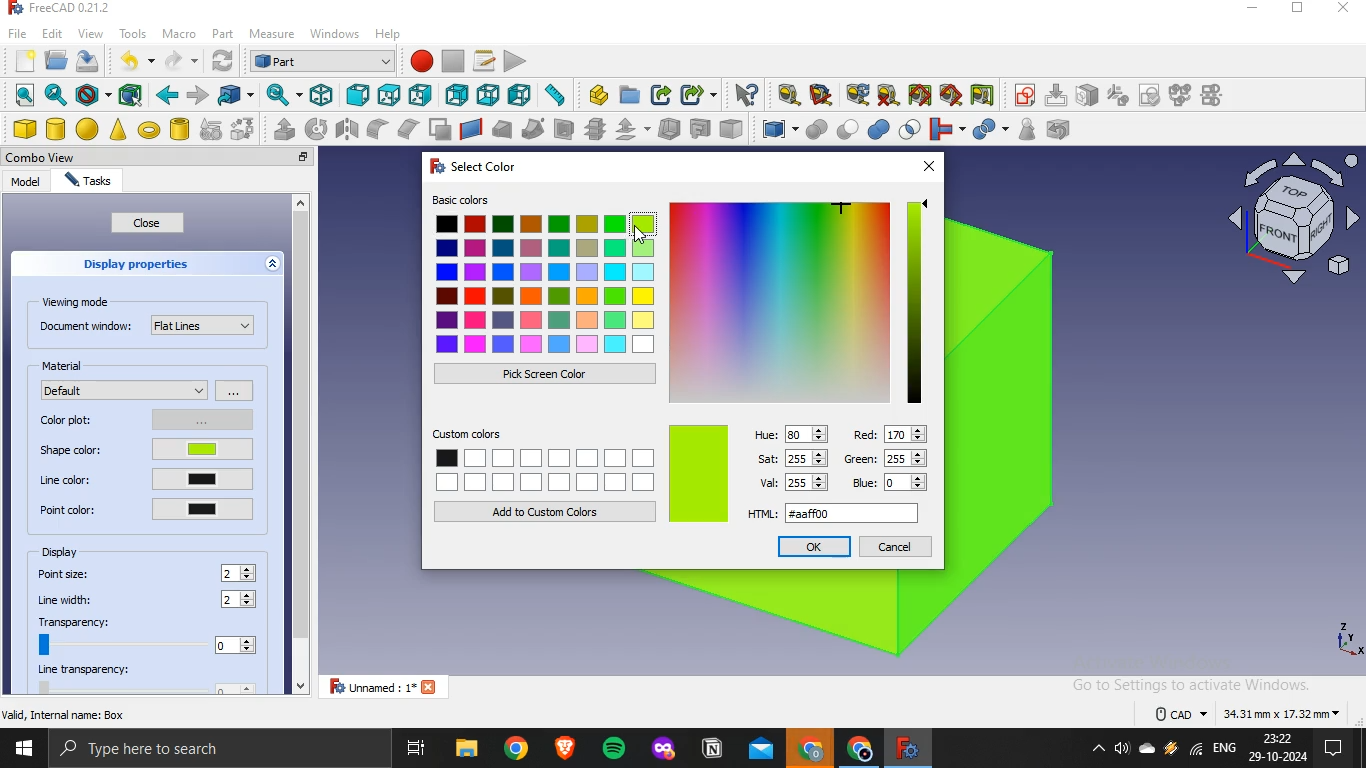 This screenshot has height=768, width=1366. What do you see at coordinates (888, 460) in the screenshot?
I see `green` at bounding box center [888, 460].